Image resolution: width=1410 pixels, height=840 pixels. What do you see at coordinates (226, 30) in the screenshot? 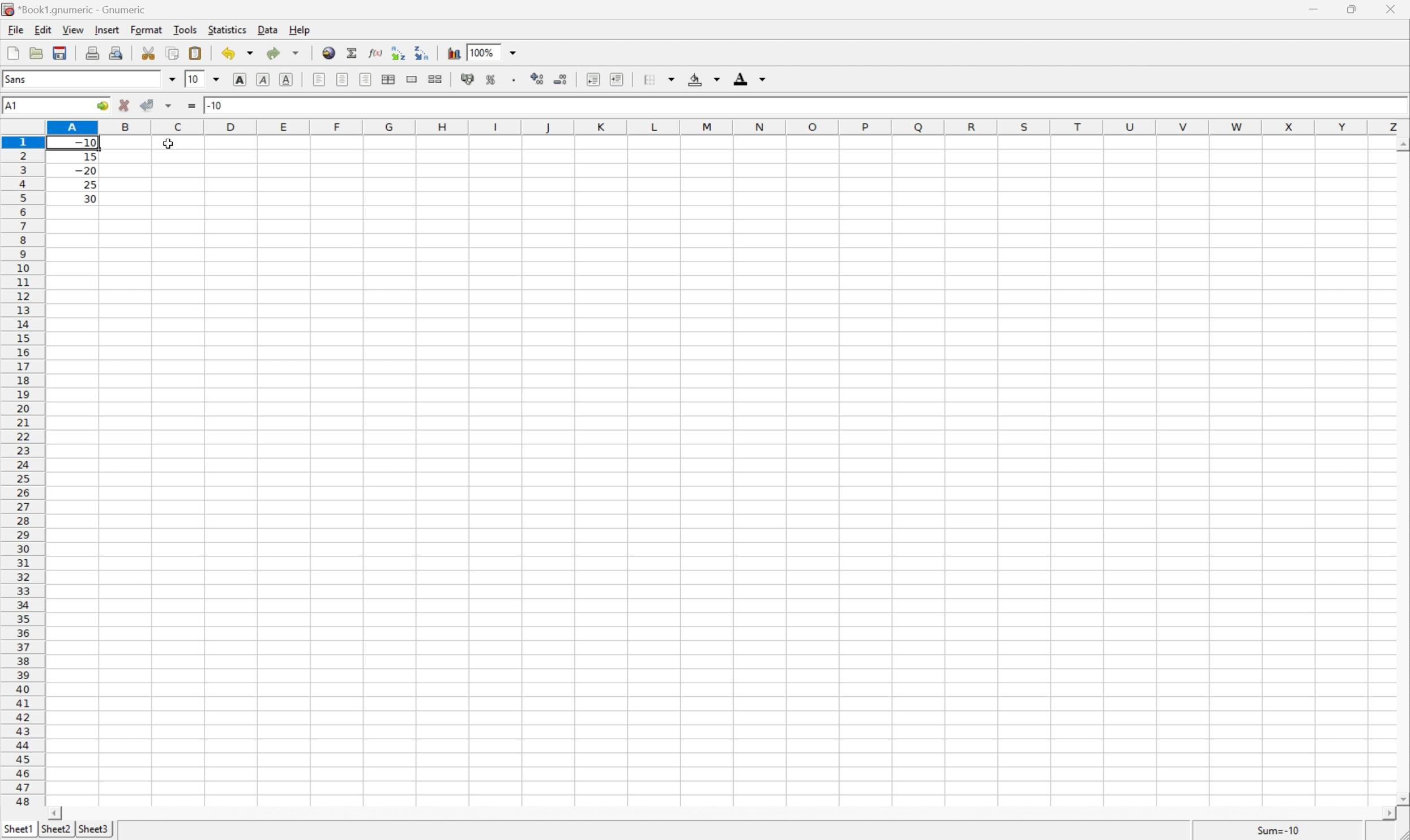
I see `Statistics` at bounding box center [226, 30].